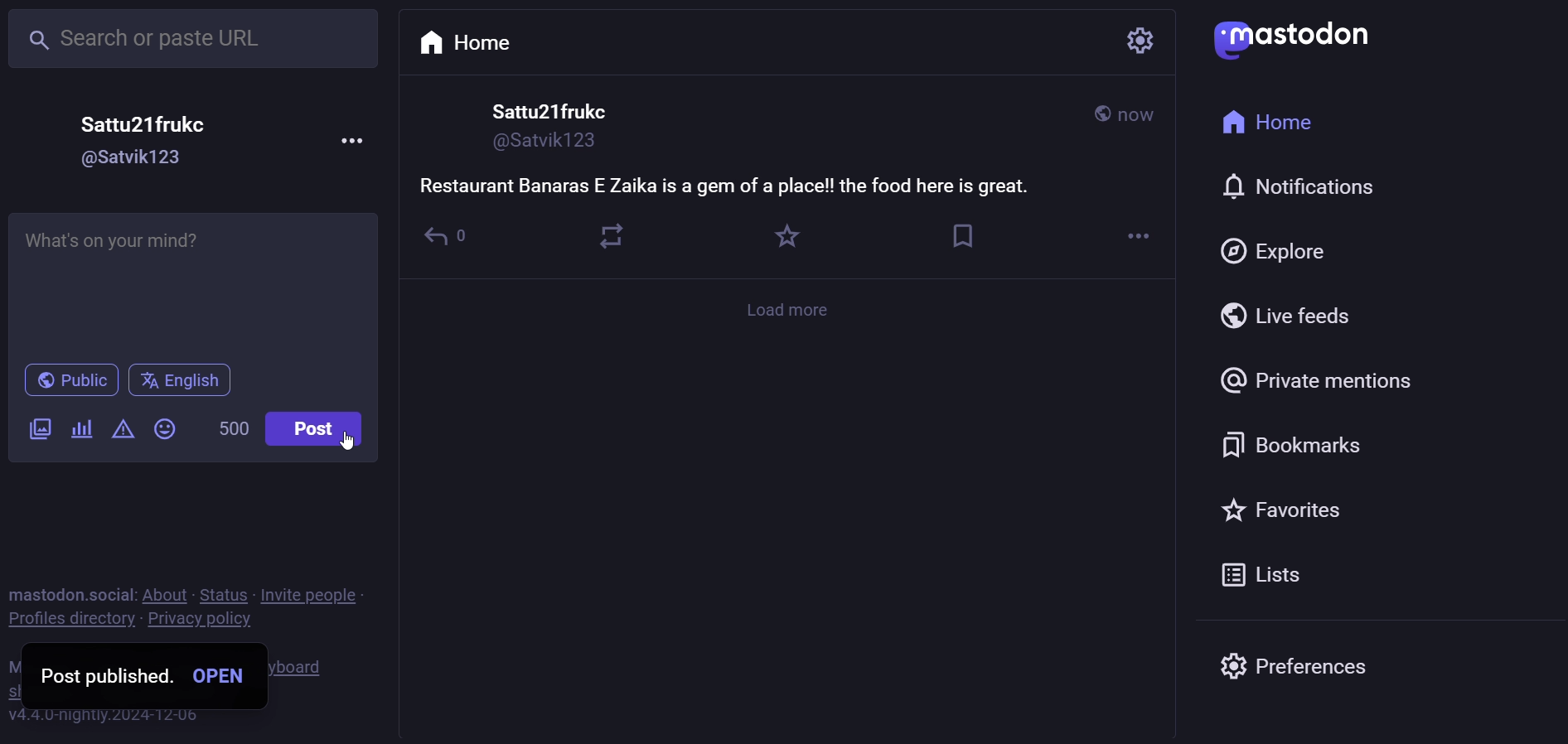 The height and width of the screenshot is (744, 1568). Describe the element at coordinates (123, 431) in the screenshot. I see `content warning` at that location.